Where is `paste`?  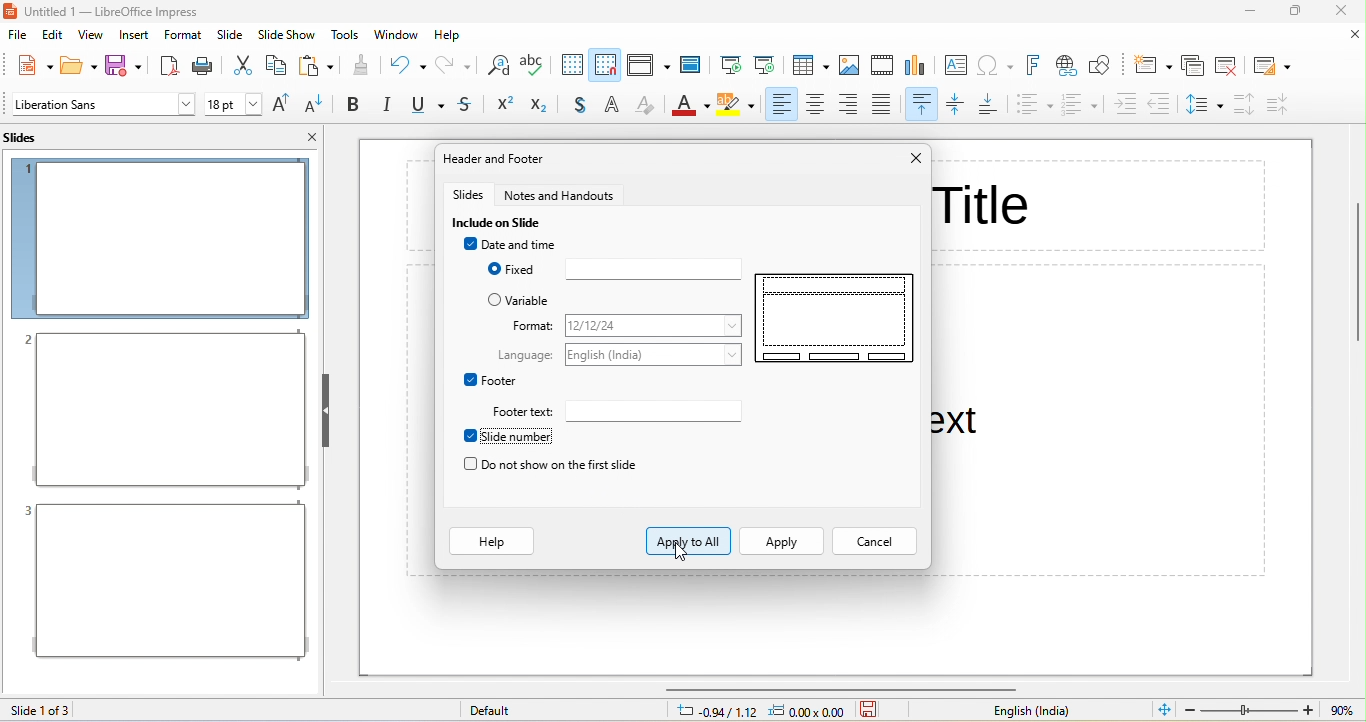
paste is located at coordinates (316, 65).